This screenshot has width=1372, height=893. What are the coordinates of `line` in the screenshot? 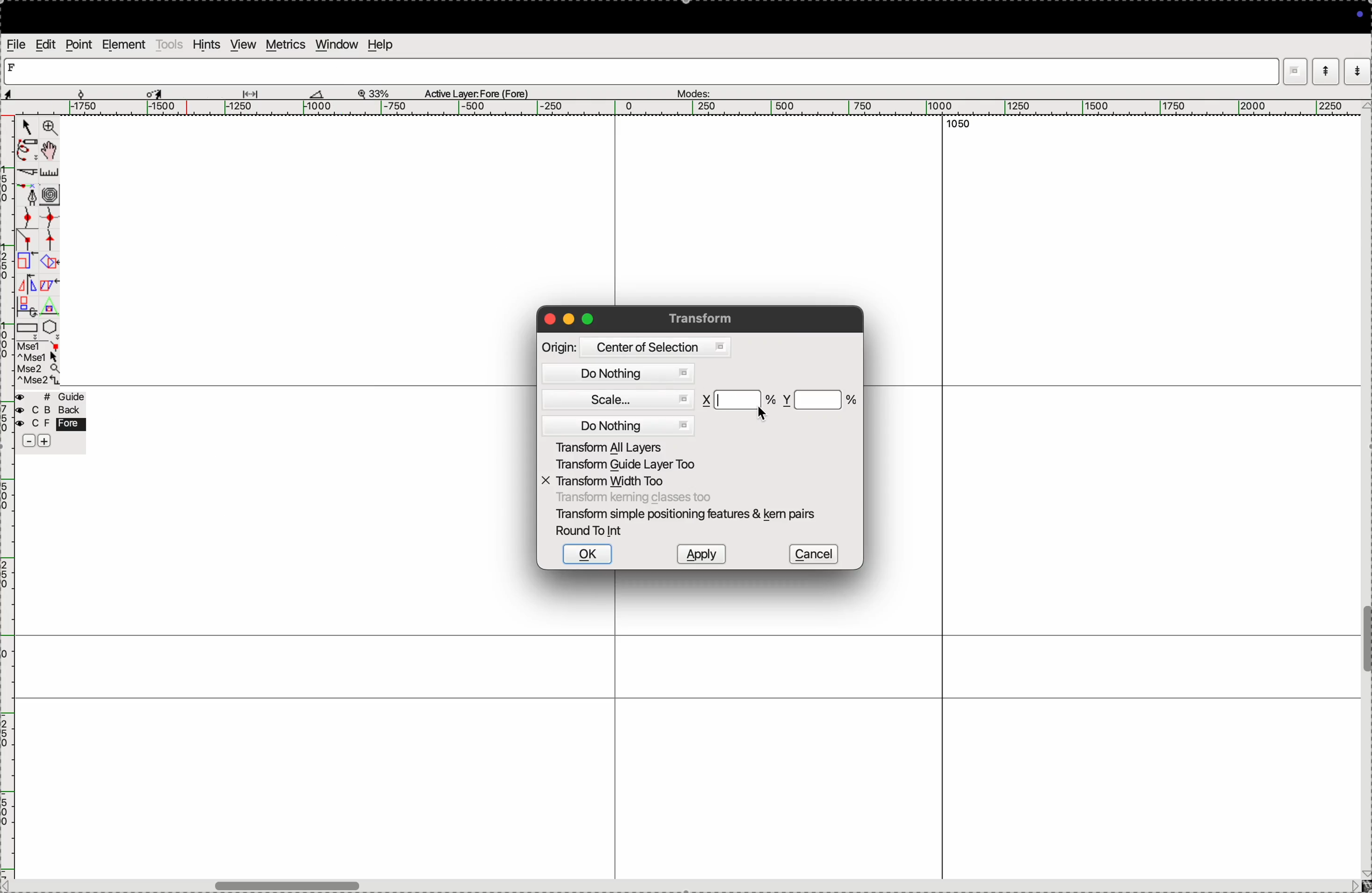 It's located at (29, 242).